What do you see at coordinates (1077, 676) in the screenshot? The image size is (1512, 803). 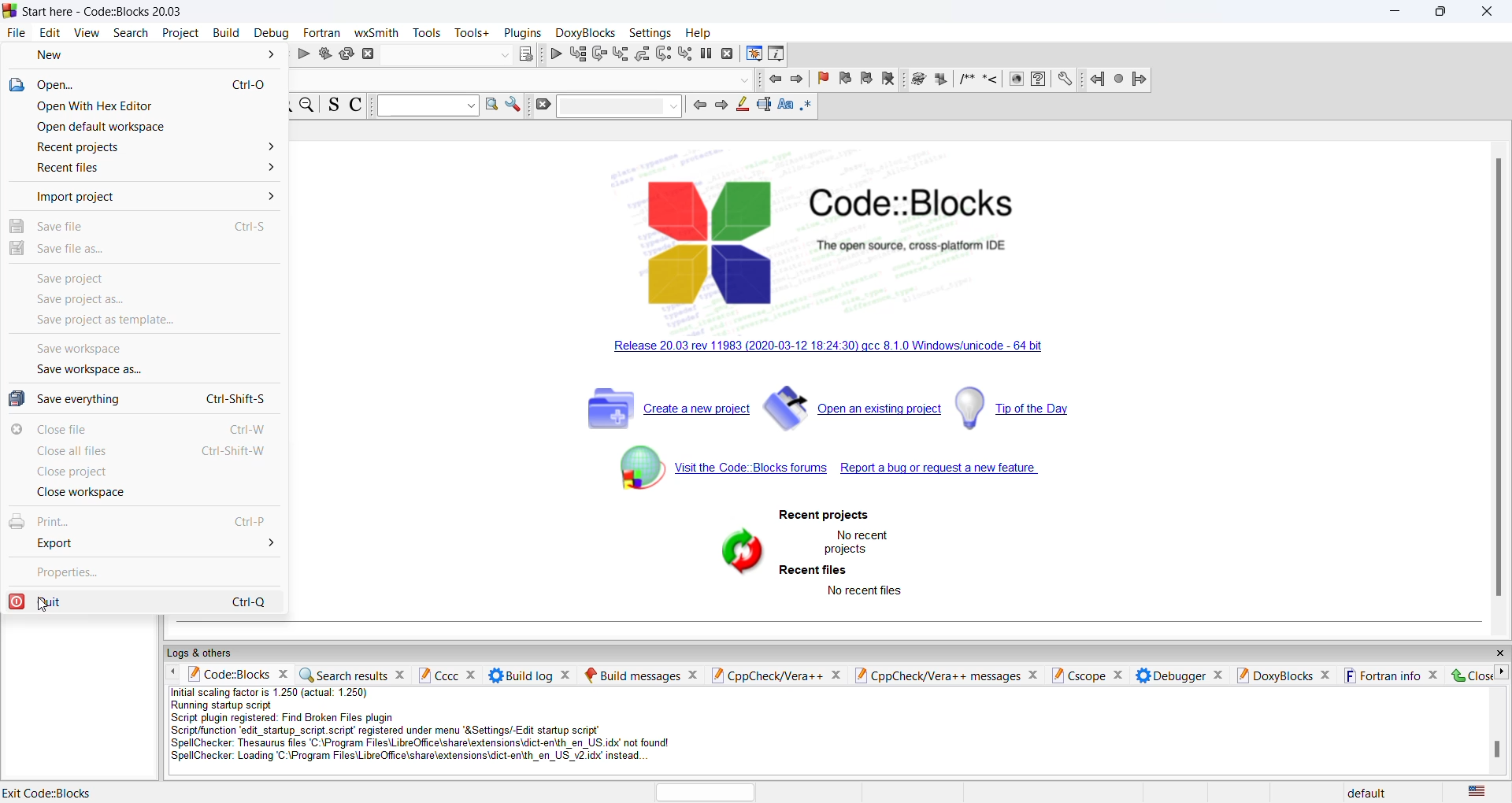 I see `cscope` at bounding box center [1077, 676].